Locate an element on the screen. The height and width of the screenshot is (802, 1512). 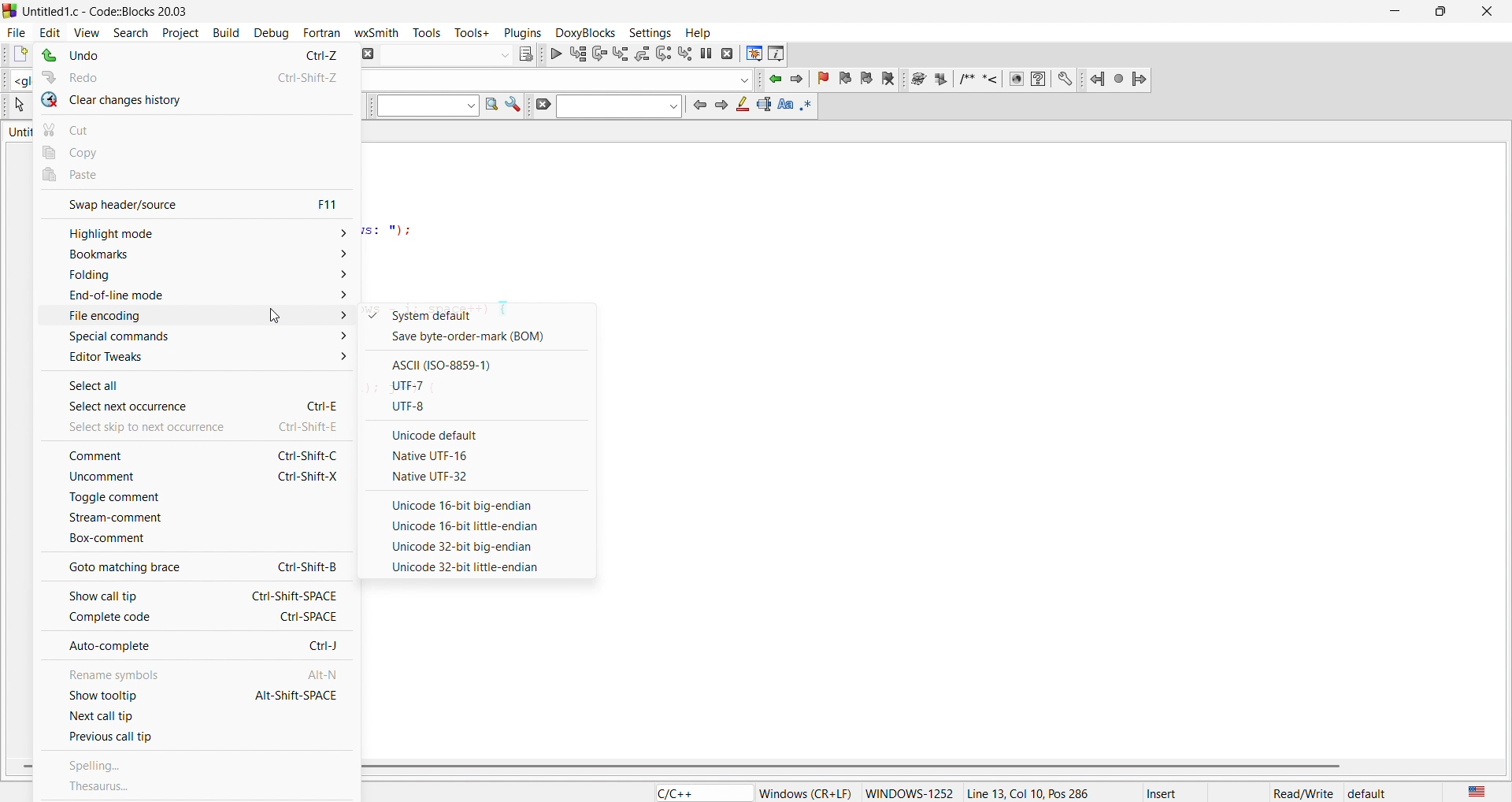
stream comment is located at coordinates (192, 521).